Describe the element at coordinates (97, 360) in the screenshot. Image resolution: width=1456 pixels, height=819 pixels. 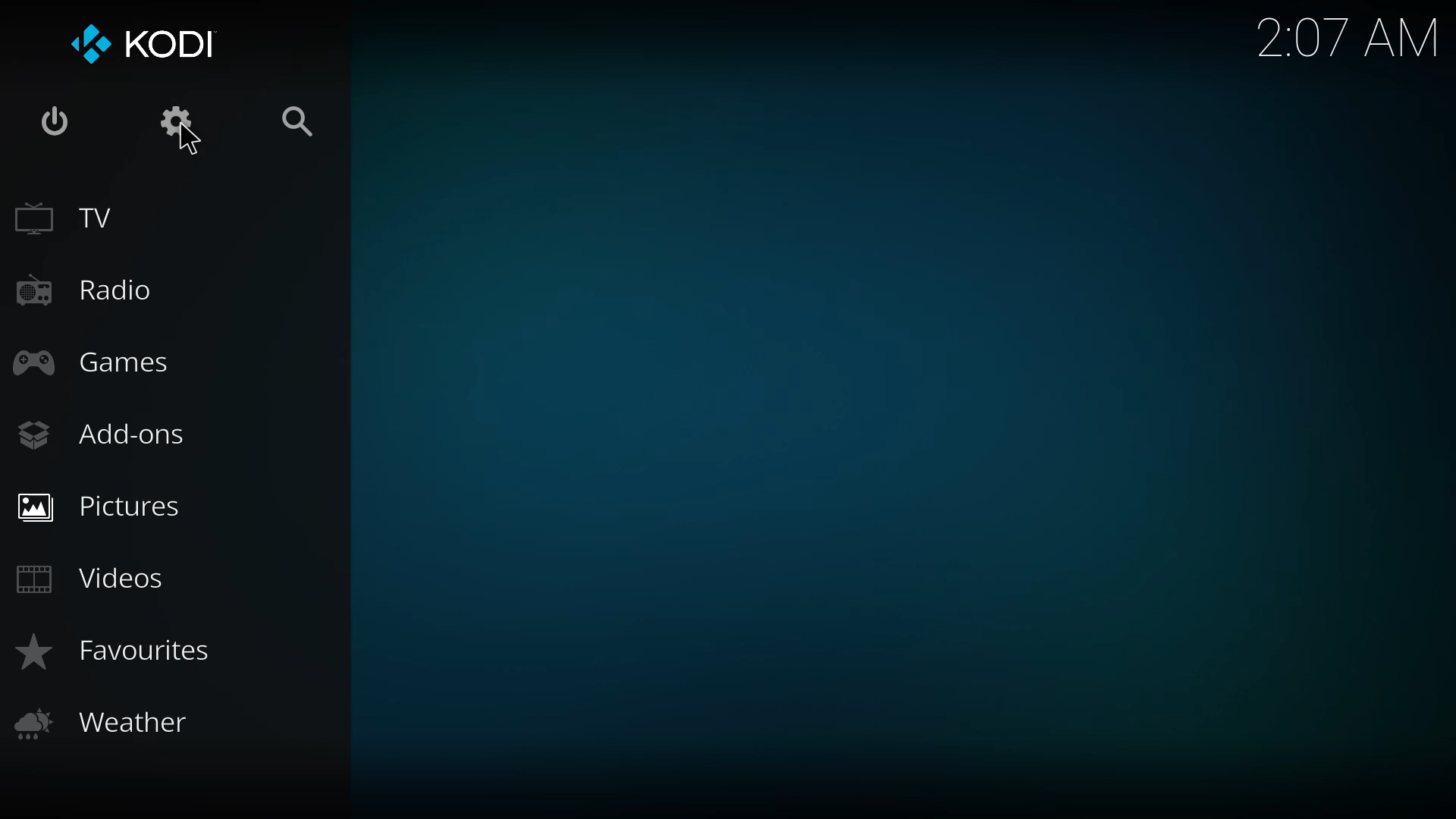
I see `games` at that location.